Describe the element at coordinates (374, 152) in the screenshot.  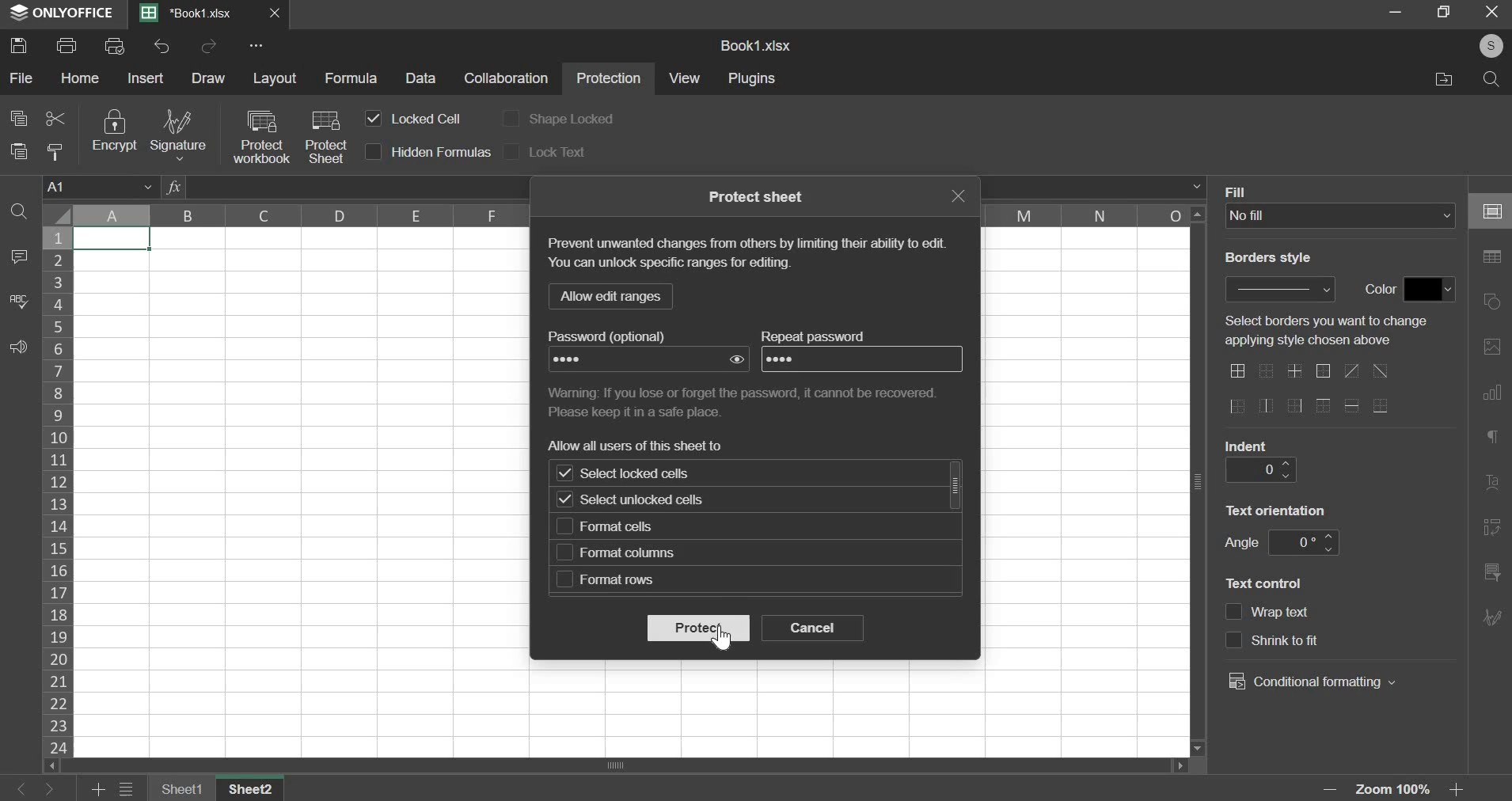
I see `checkbox` at that location.